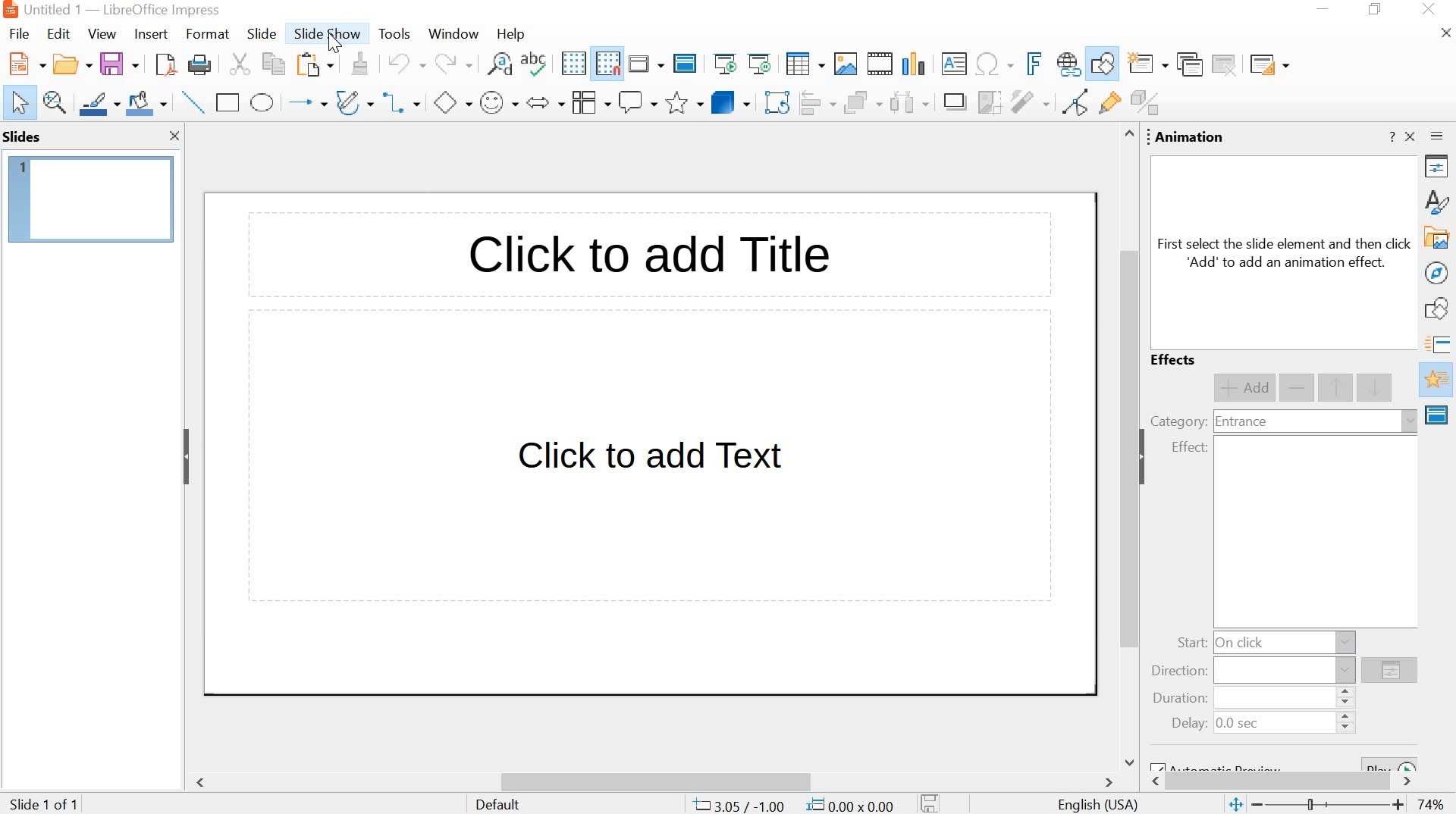 The height and width of the screenshot is (814, 1456). What do you see at coordinates (1149, 104) in the screenshot?
I see `toggle extrusion` at bounding box center [1149, 104].